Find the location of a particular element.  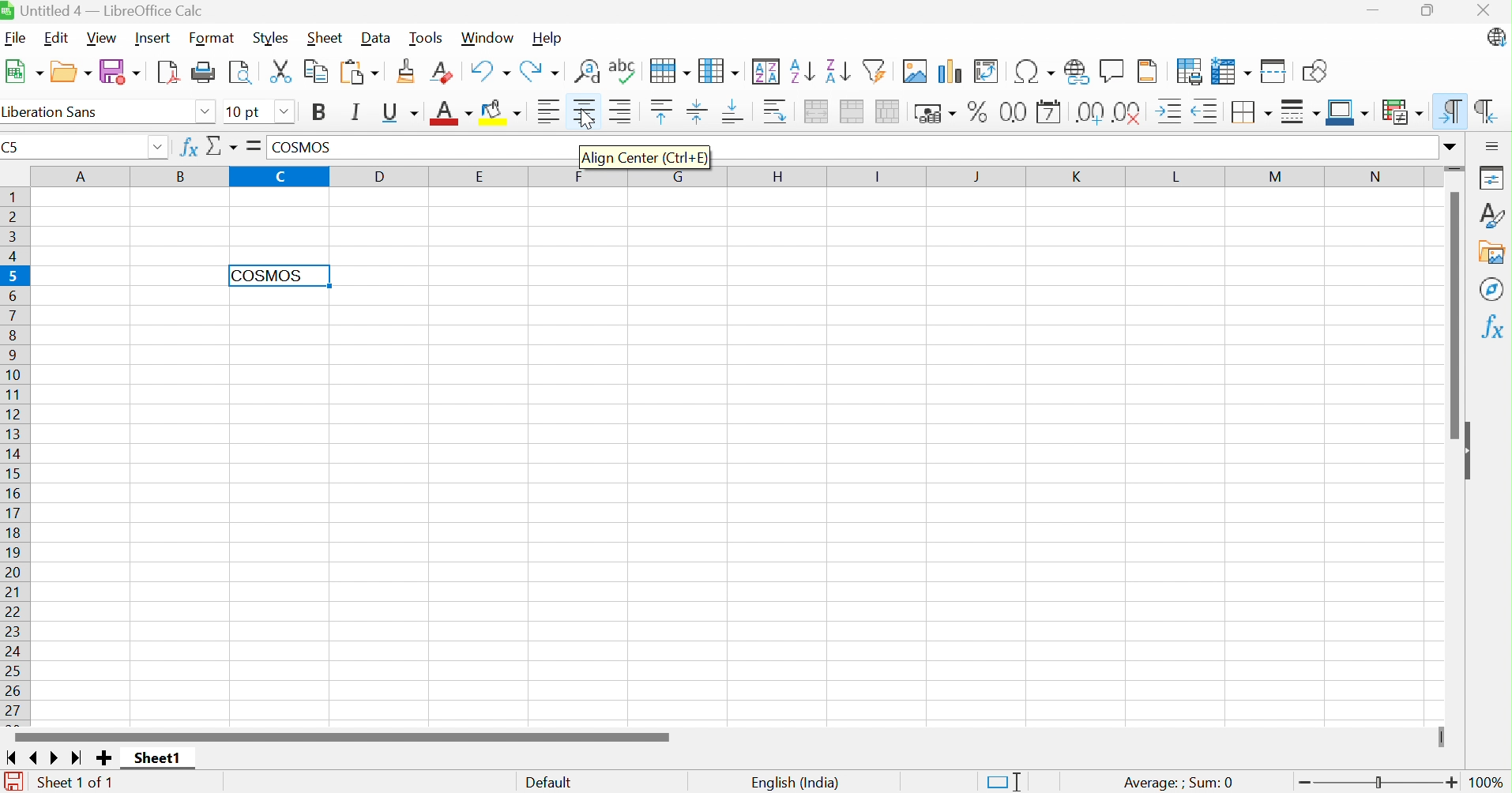

Format as Number is located at coordinates (1014, 112).